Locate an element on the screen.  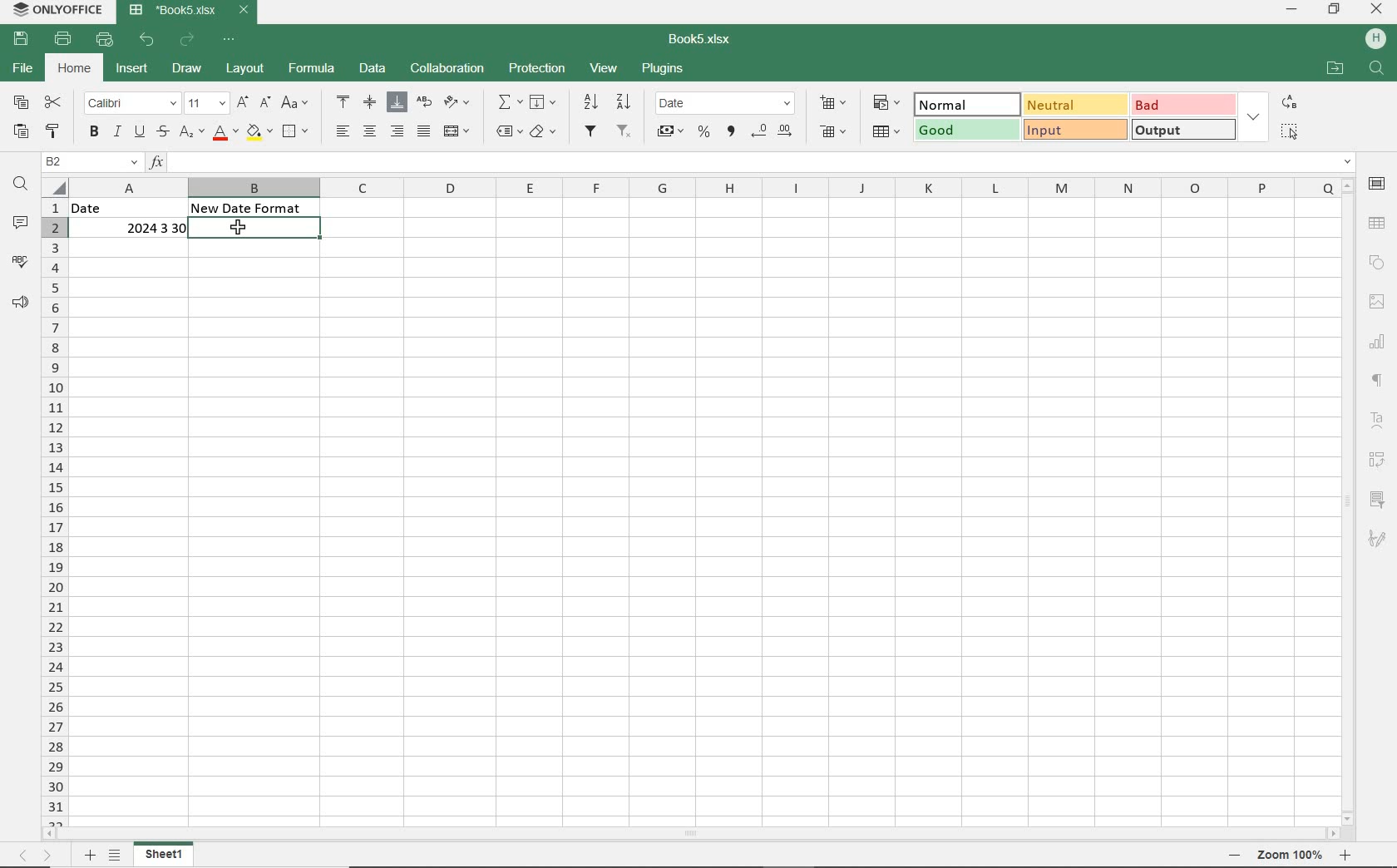
SORT ASCENDING is located at coordinates (590, 102).